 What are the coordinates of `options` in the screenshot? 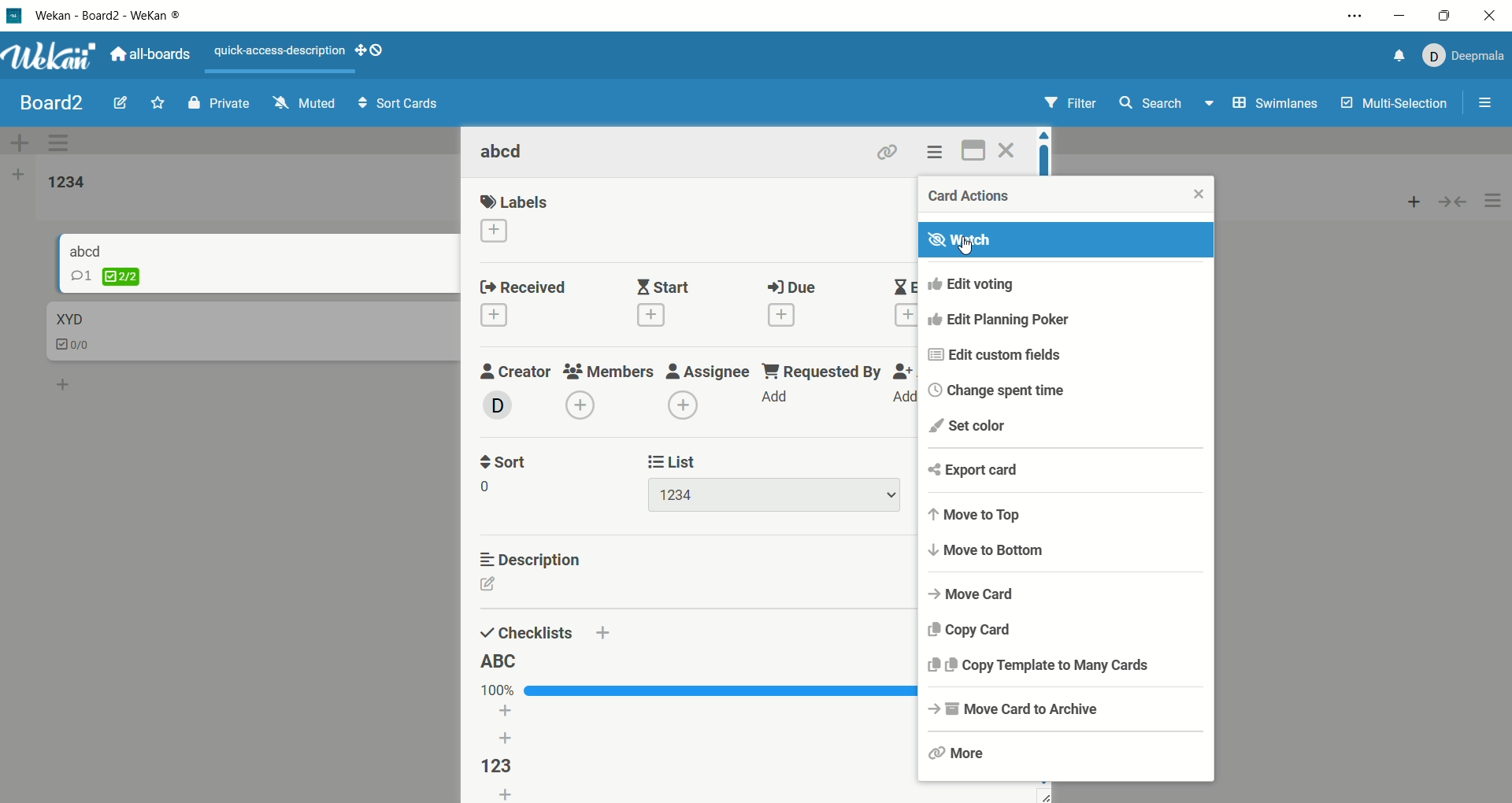 It's located at (939, 152).